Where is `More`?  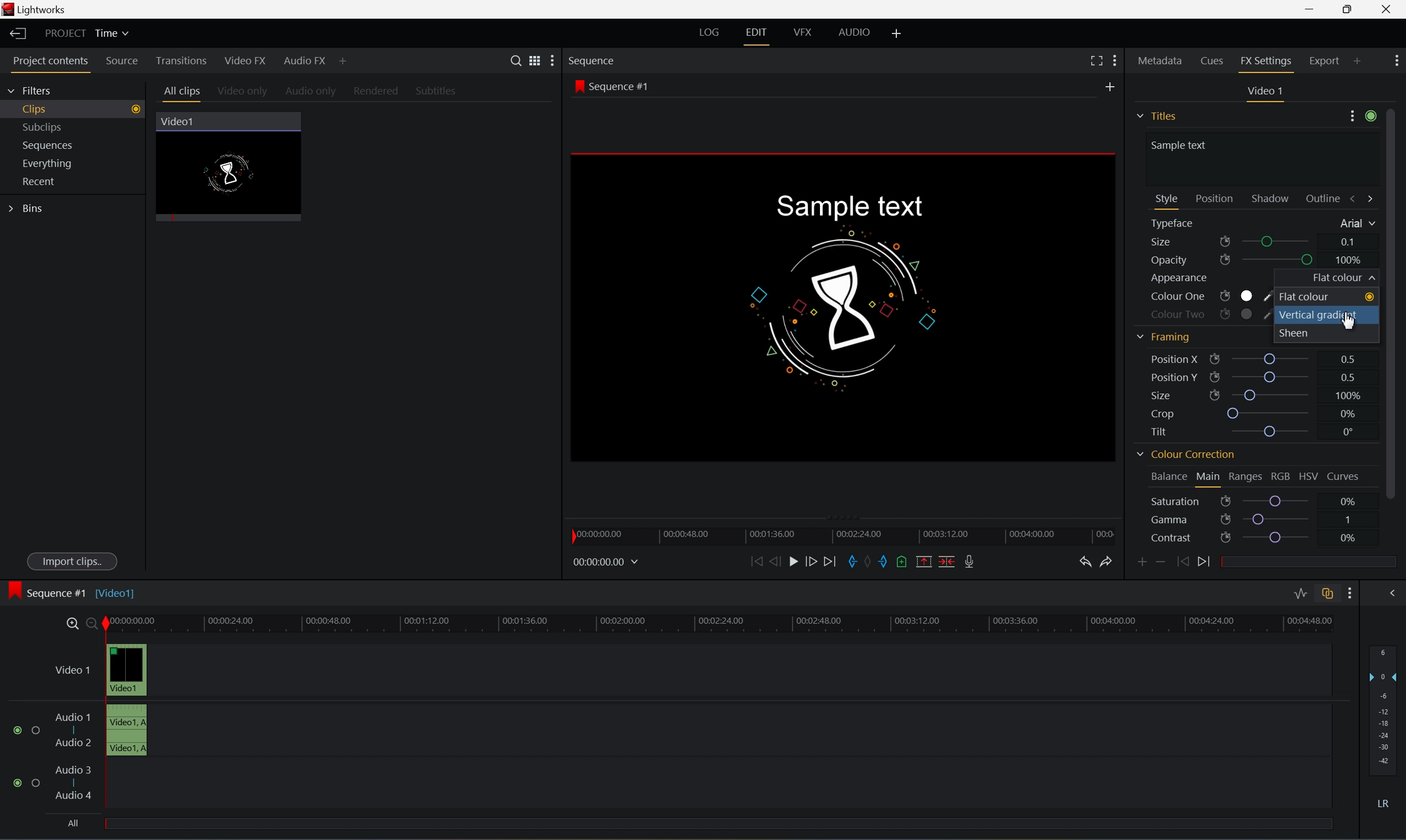 More is located at coordinates (1116, 60).